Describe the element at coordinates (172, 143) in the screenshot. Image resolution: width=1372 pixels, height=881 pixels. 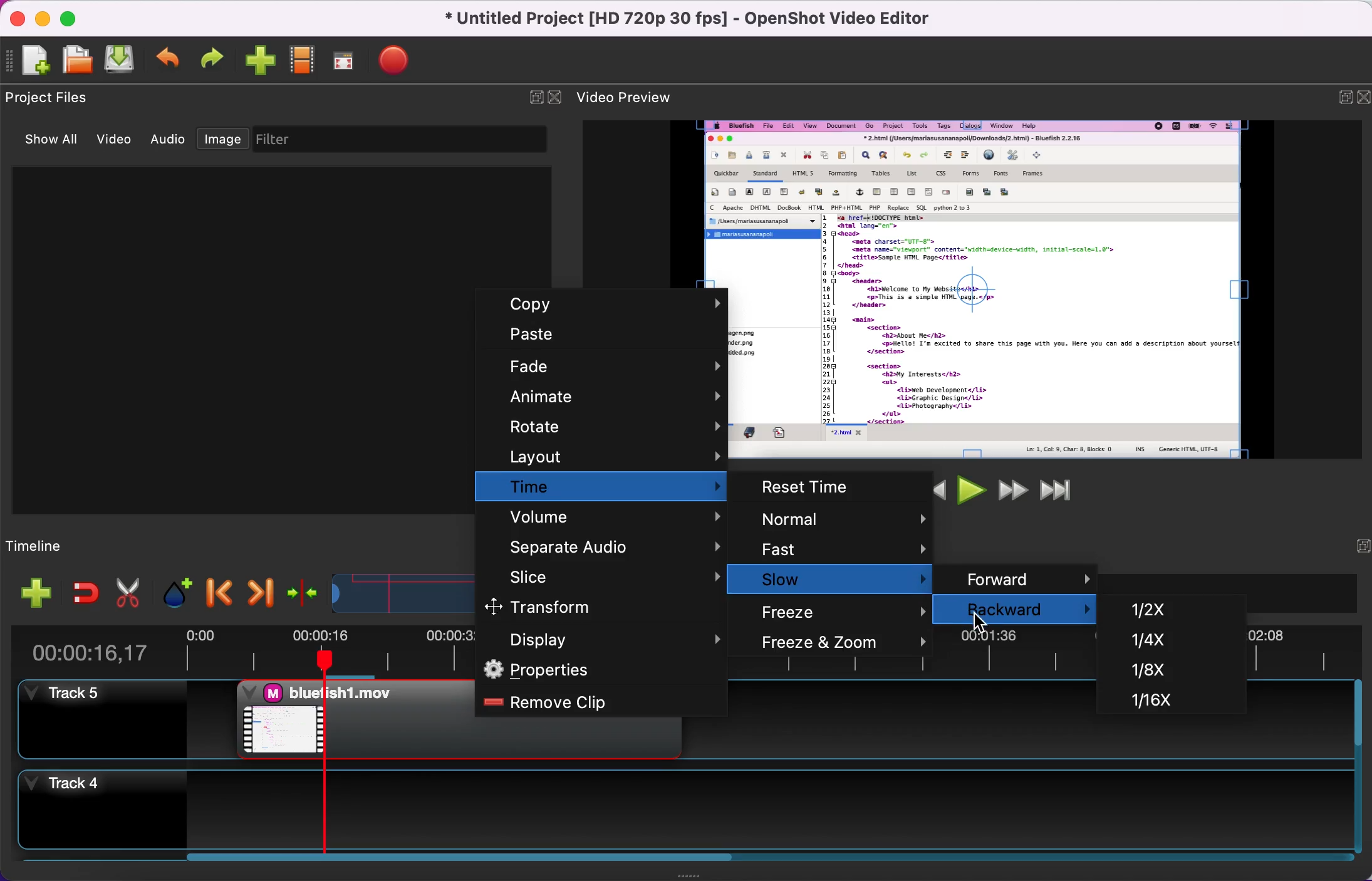
I see `audio` at that location.